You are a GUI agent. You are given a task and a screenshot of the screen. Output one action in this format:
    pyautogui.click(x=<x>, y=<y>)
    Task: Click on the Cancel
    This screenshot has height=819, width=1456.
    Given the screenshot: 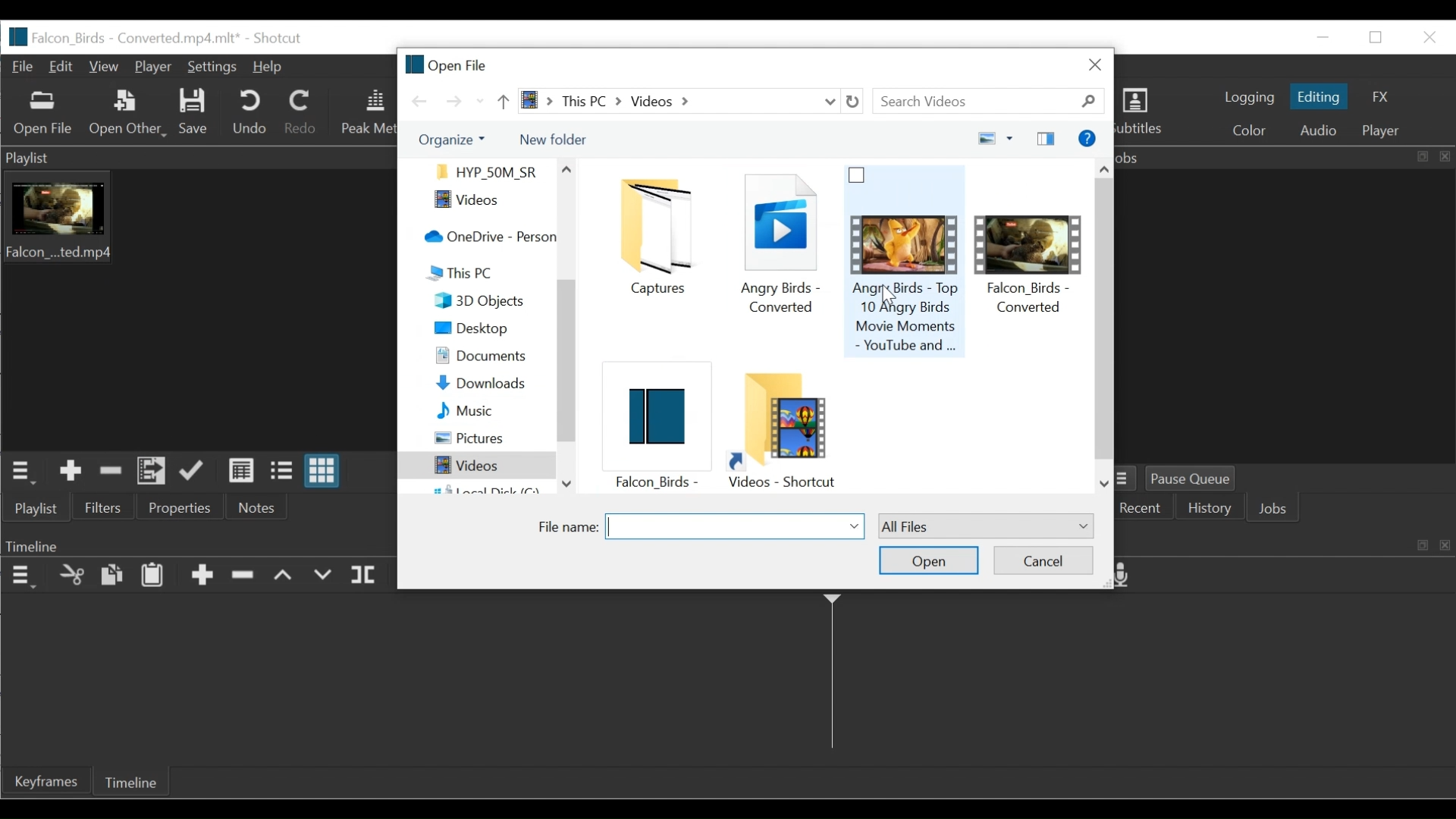 What is the action you would take?
    pyautogui.click(x=1043, y=558)
    